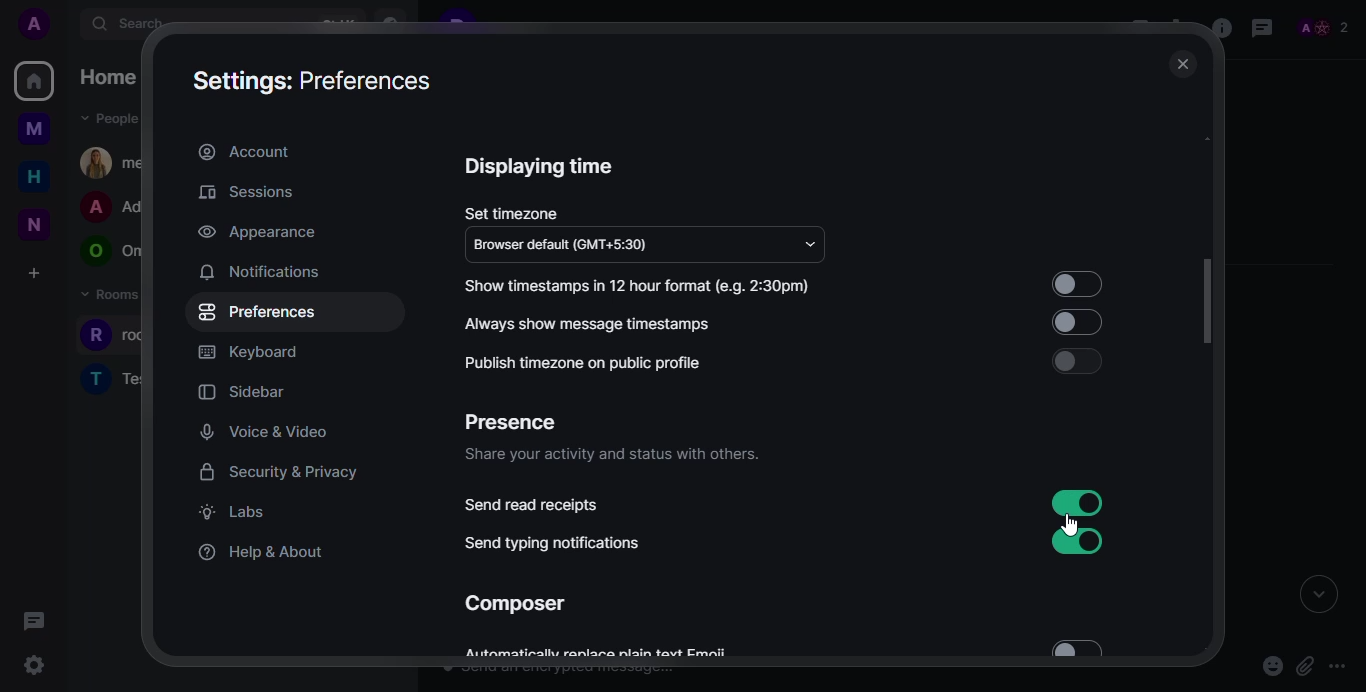 The width and height of the screenshot is (1366, 692). Describe the element at coordinates (115, 208) in the screenshot. I see `people room` at that location.